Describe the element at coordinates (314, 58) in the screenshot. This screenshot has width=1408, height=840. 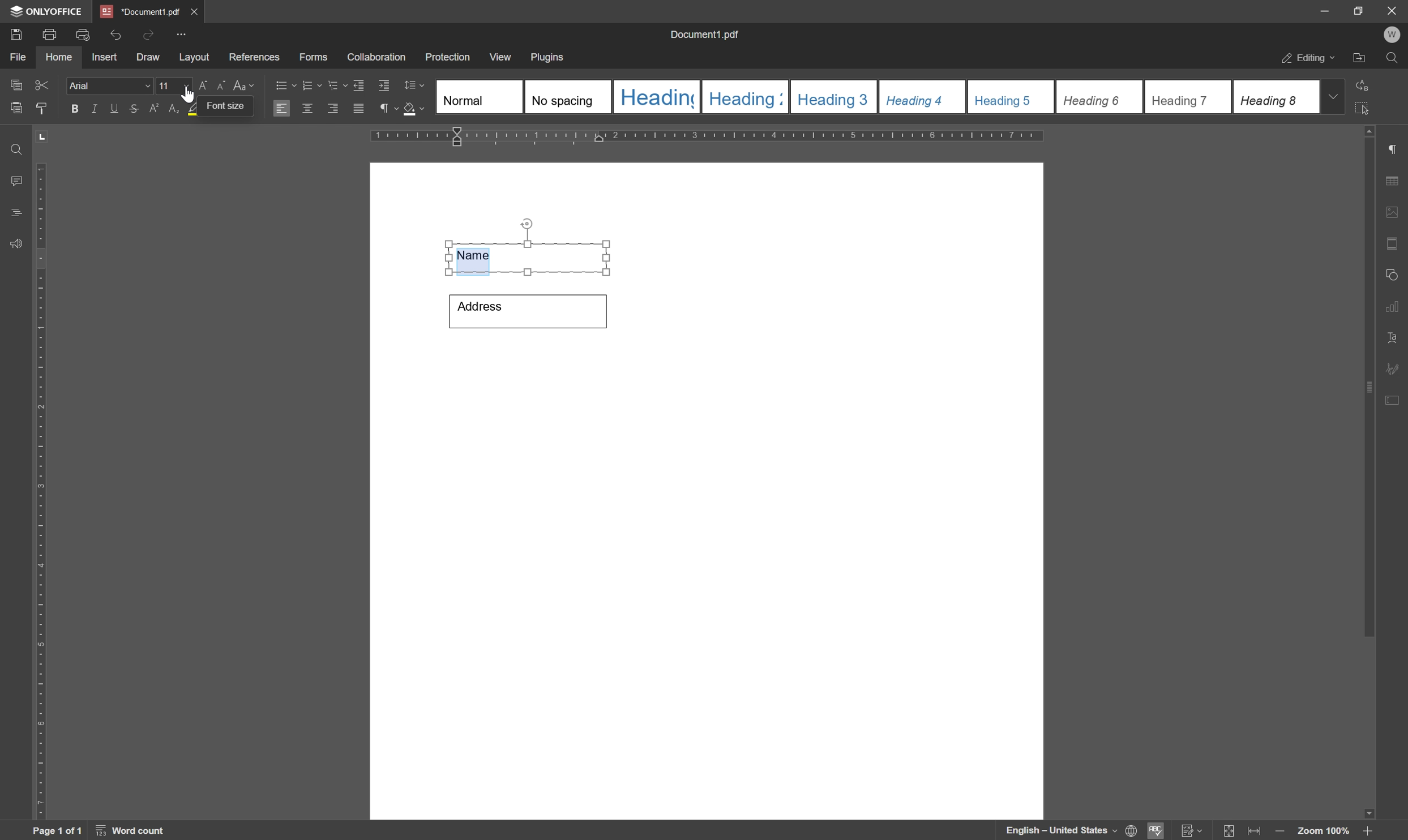
I see `forms` at that location.